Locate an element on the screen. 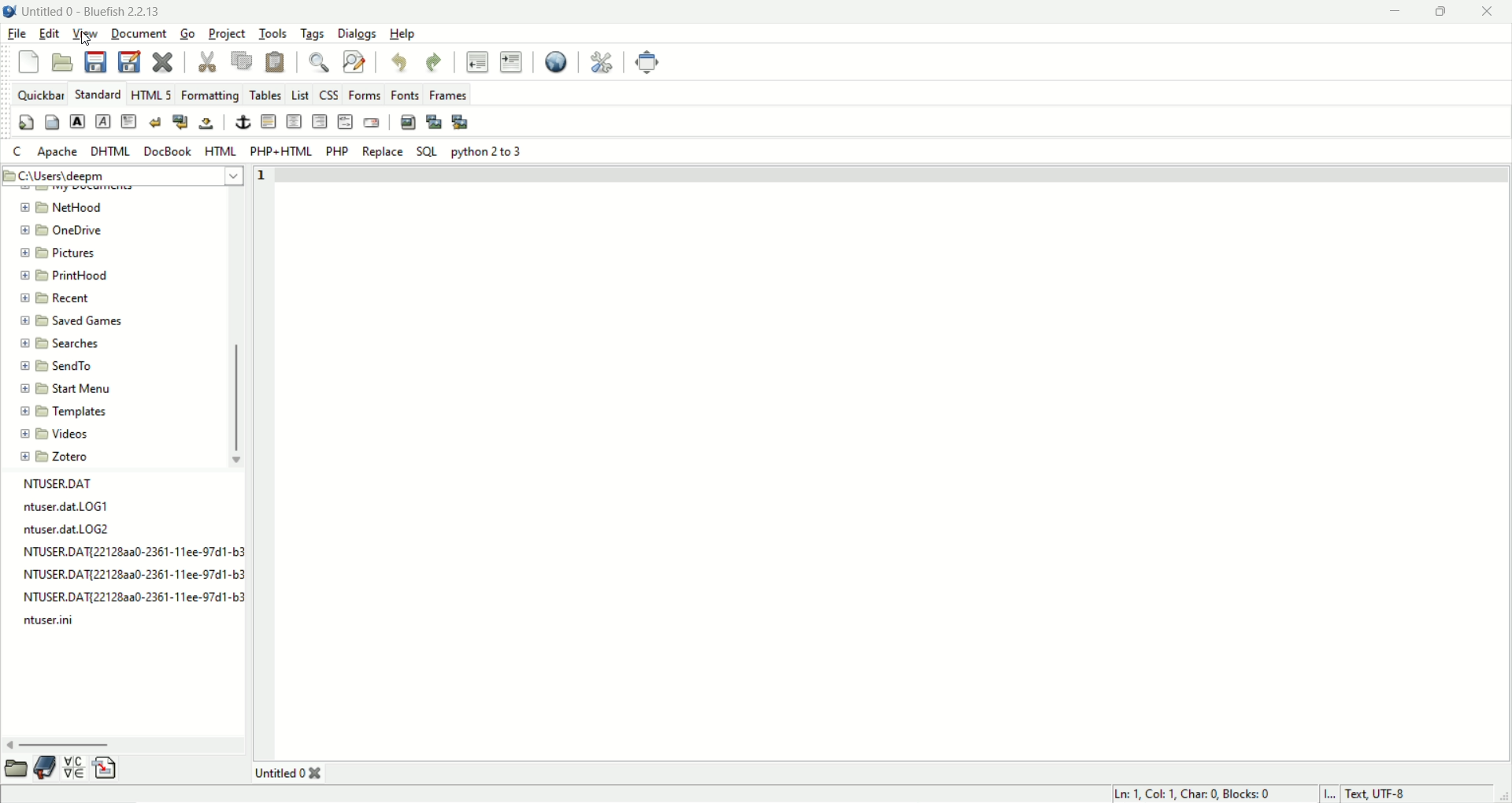 This screenshot has height=803, width=1512. zotero is located at coordinates (57, 457).